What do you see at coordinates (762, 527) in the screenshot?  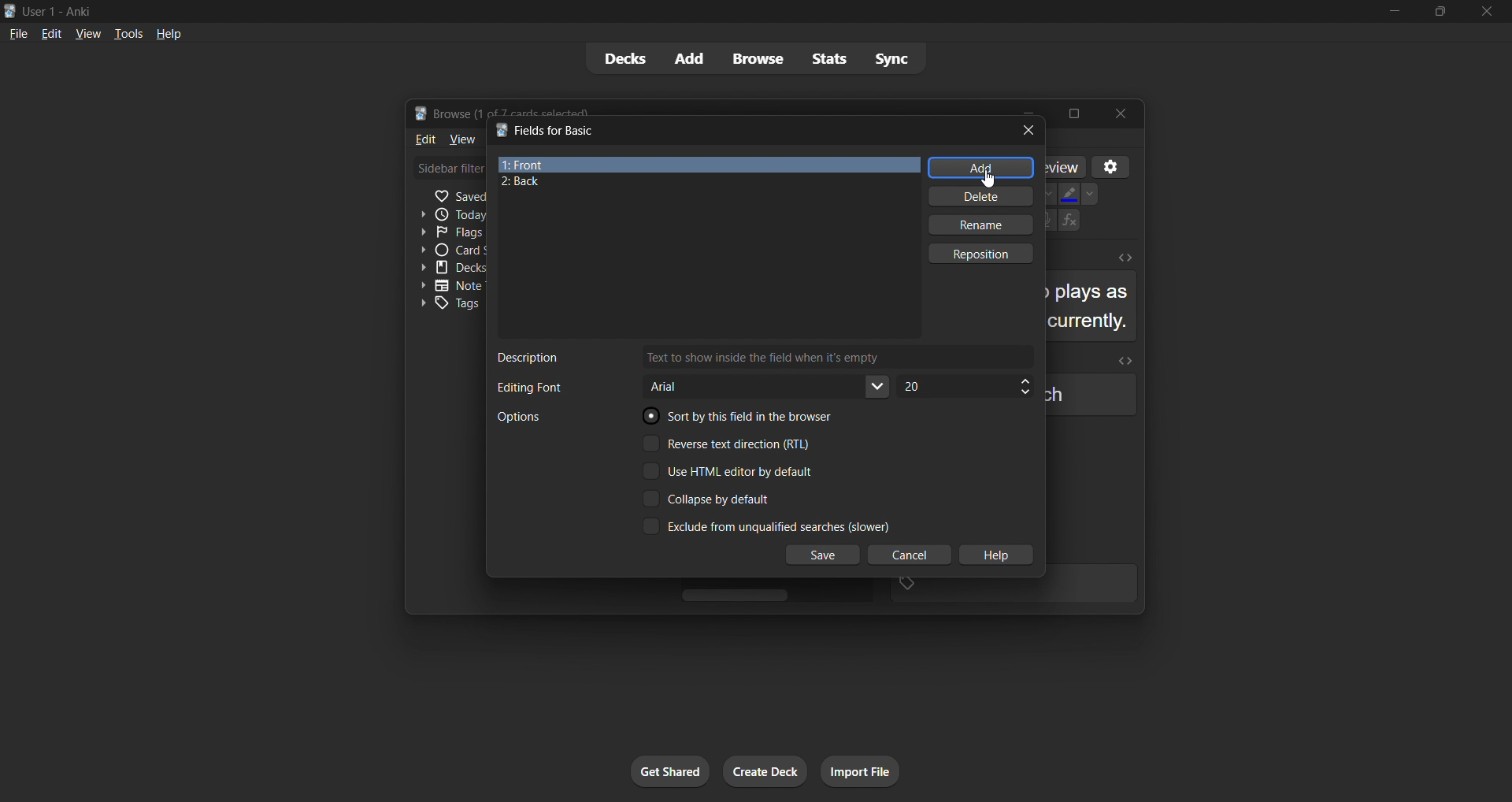 I see `Exclude from unqualified searches(slower)` at bounding box center [762, 527].